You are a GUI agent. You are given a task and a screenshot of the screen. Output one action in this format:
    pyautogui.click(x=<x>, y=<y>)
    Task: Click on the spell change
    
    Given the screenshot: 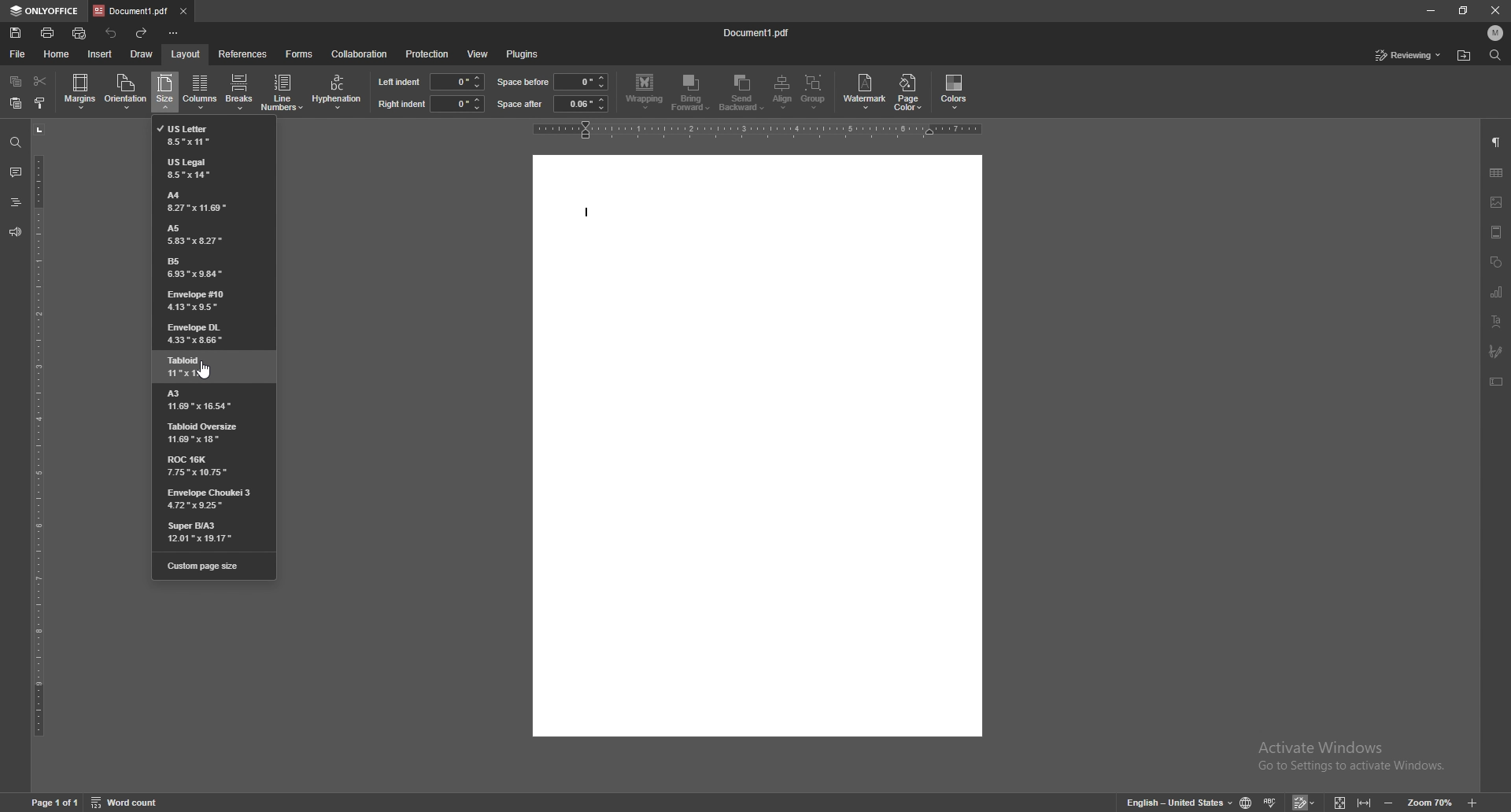 What is the action you would take?
    pyautogui.click(x=1272, y=802)
    